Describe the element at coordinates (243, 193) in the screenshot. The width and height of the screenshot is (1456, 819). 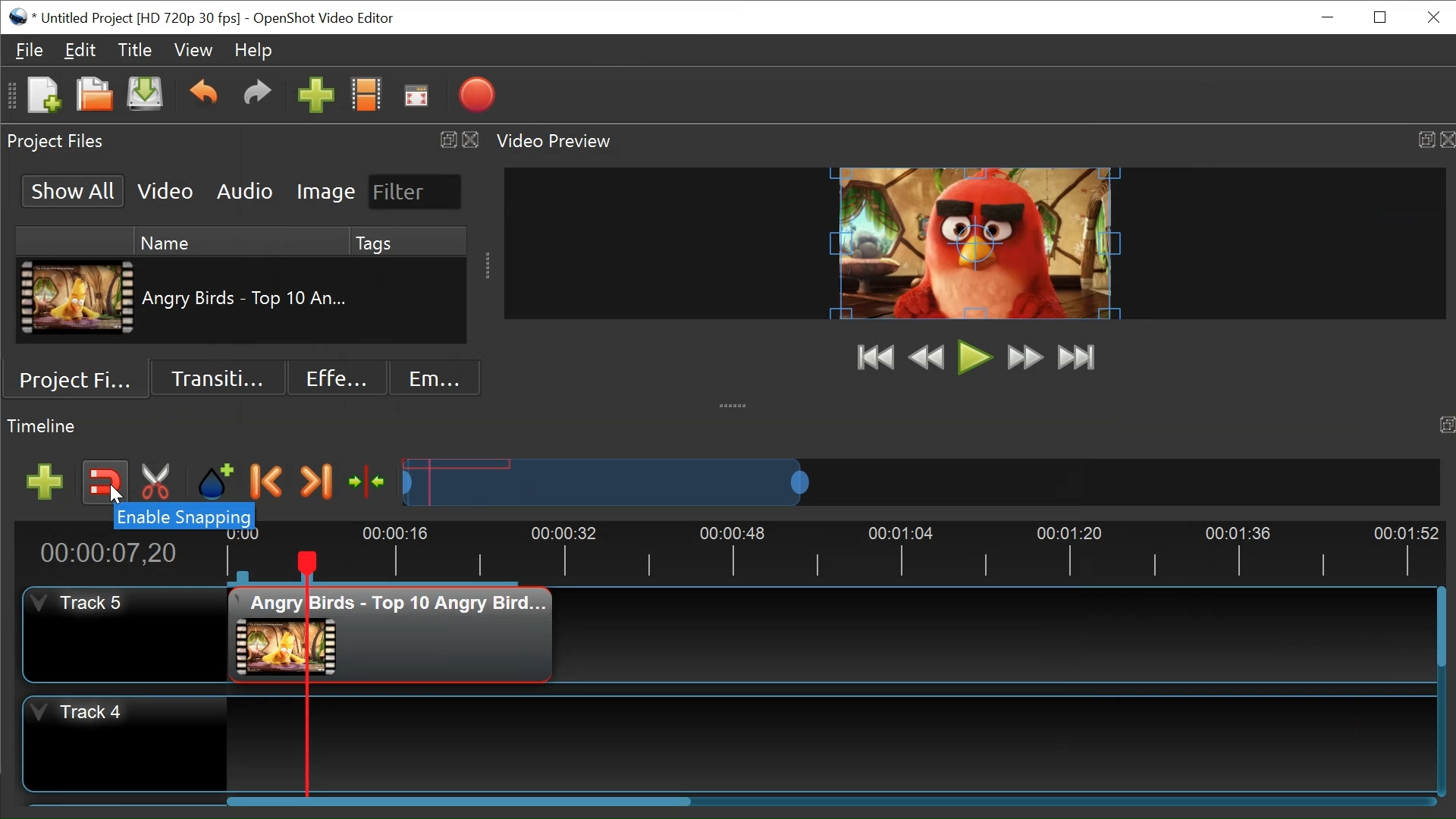
I see `Audio` at that location.